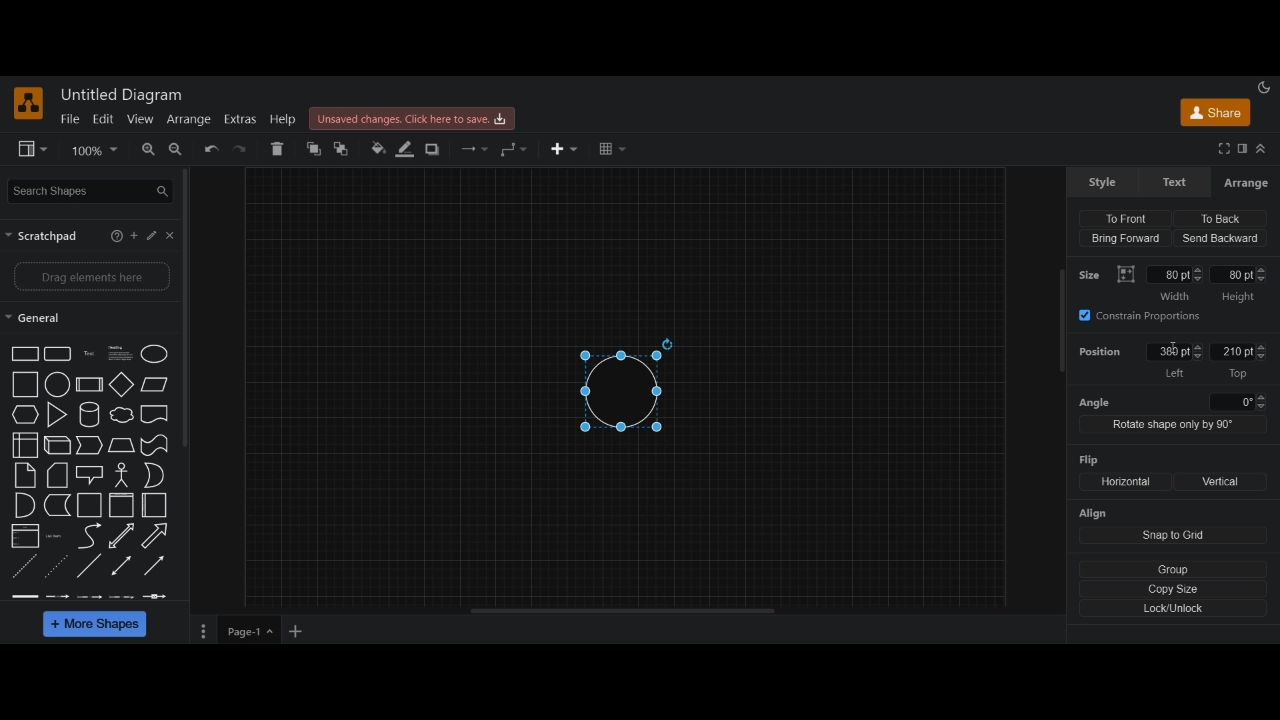 Image resolution: width=1280 pixels, height=720 pixels. Describe the element at coordinates (25, 535) in the screenshot. I see `clip` at that location.